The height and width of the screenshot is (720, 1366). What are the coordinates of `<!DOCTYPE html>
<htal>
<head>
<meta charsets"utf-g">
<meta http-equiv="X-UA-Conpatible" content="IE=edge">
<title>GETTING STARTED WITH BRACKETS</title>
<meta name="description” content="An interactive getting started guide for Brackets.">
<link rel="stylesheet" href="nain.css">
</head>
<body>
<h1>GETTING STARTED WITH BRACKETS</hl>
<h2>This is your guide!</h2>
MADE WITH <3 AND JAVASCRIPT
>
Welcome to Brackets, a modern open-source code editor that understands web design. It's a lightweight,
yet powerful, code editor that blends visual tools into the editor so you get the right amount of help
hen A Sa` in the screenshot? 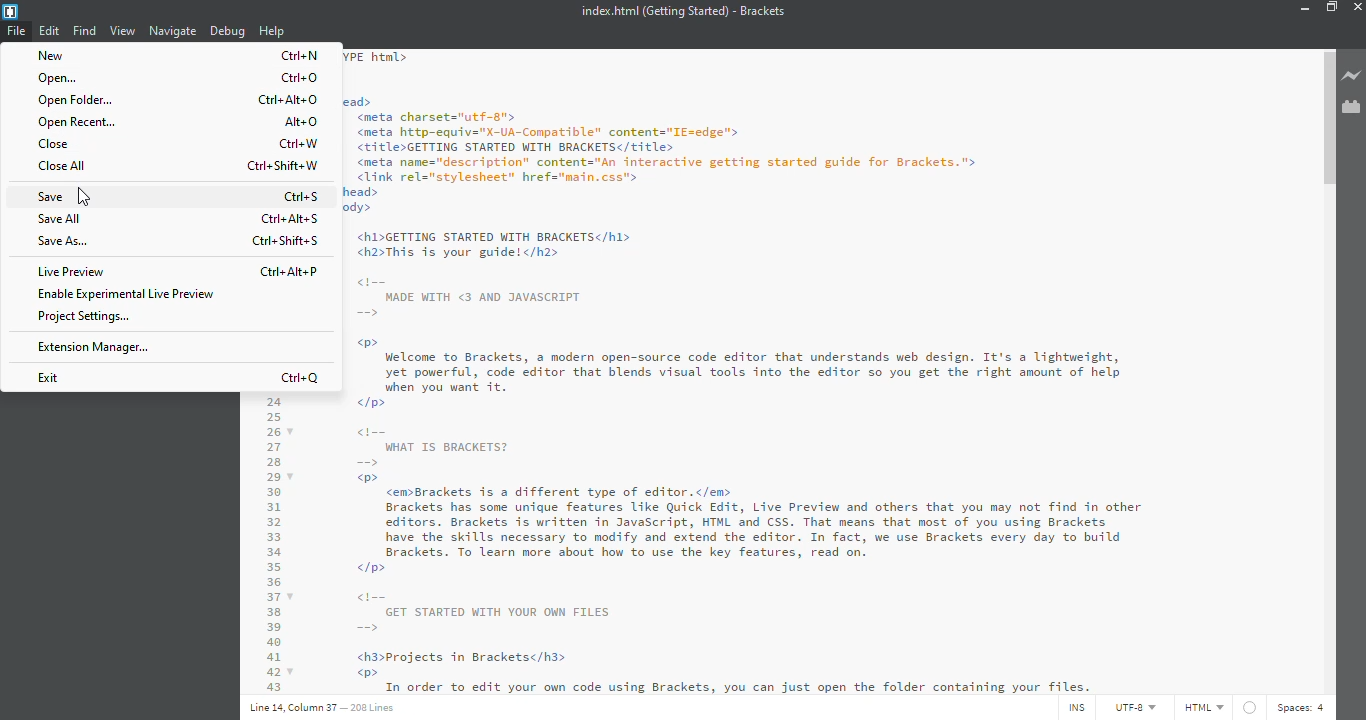 It's located at (764, 221).